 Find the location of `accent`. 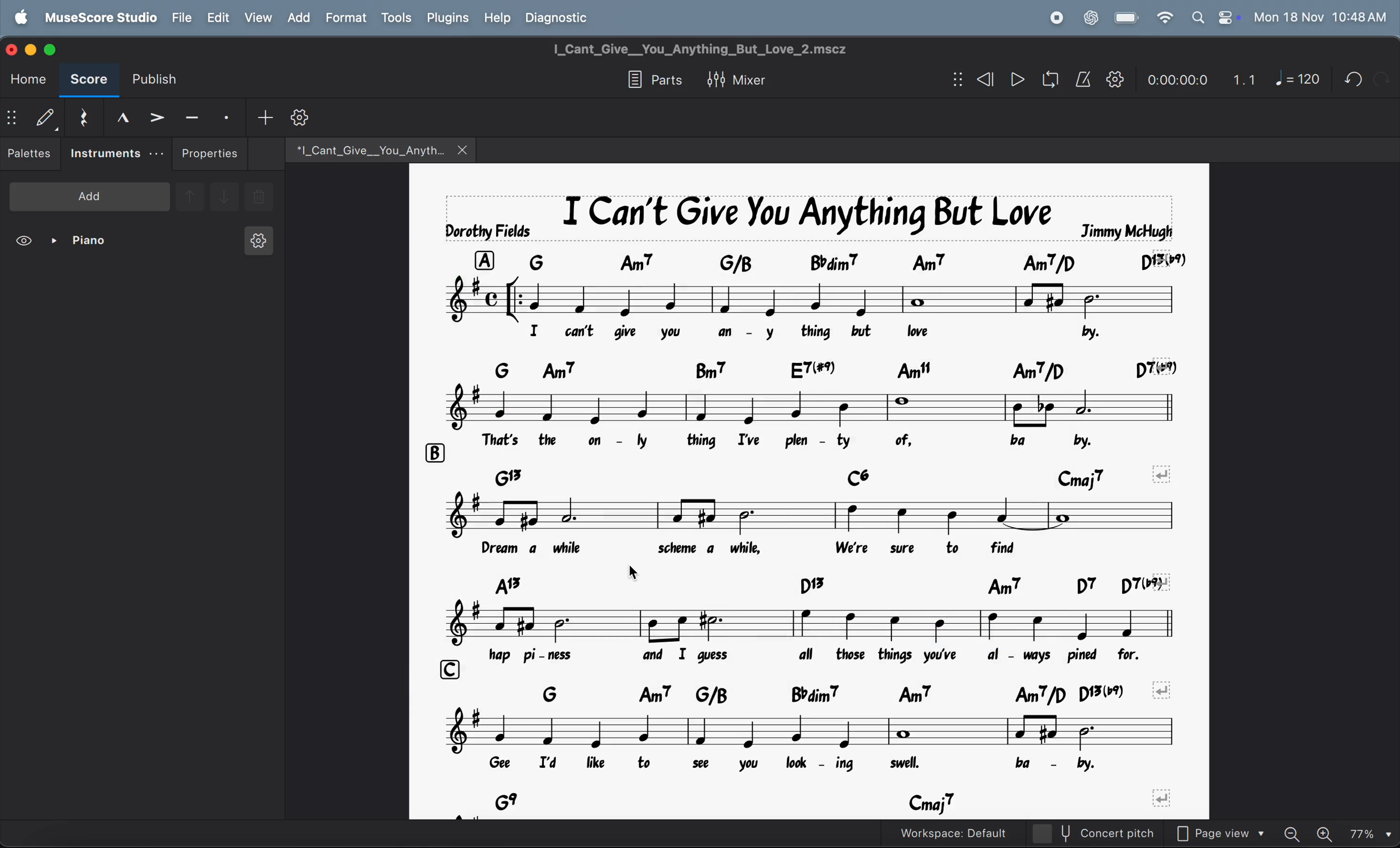

accent is located at coordinates (156, 116).